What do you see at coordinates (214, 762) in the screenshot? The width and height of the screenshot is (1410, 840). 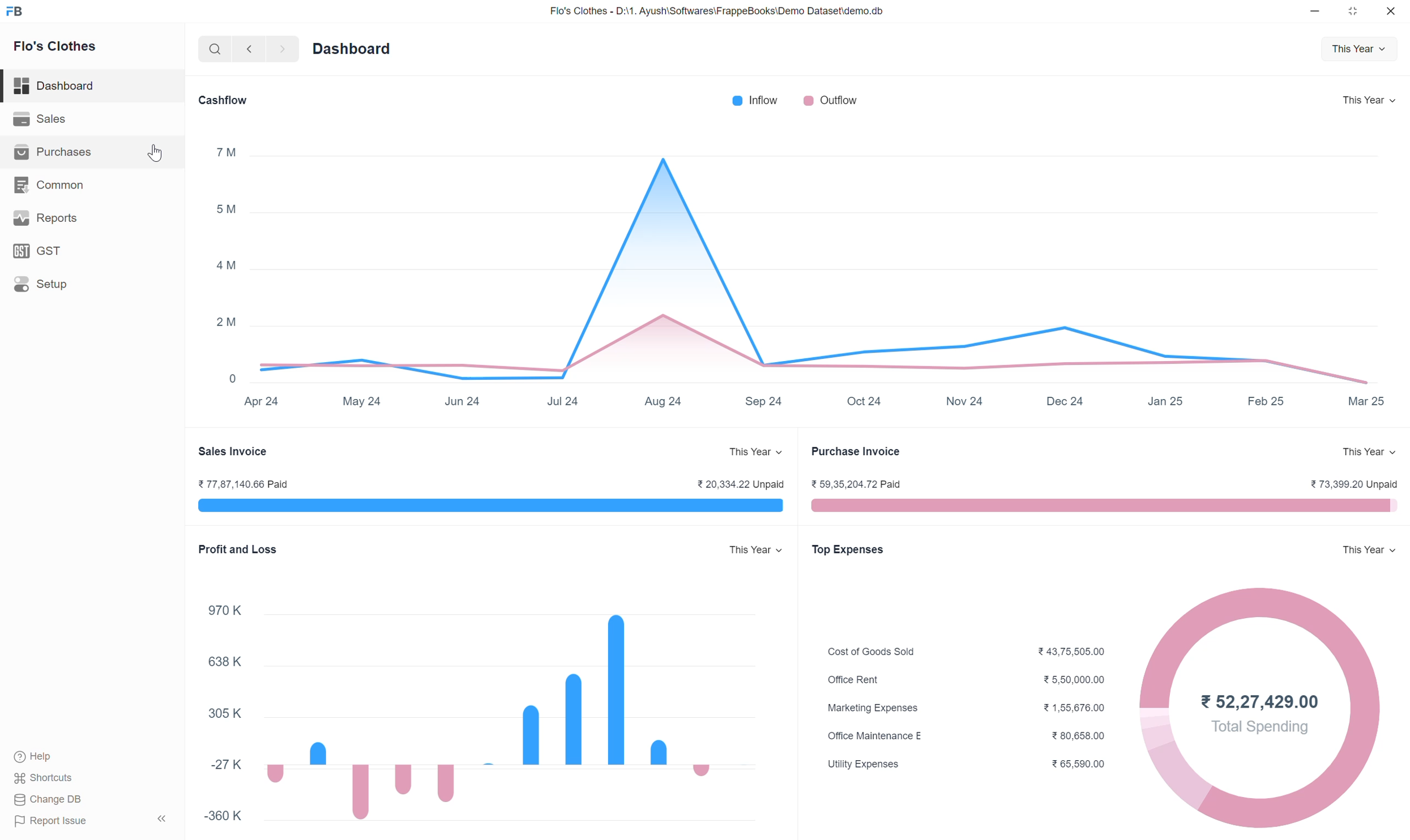 I see `27K` at bounding box center [214, 762].